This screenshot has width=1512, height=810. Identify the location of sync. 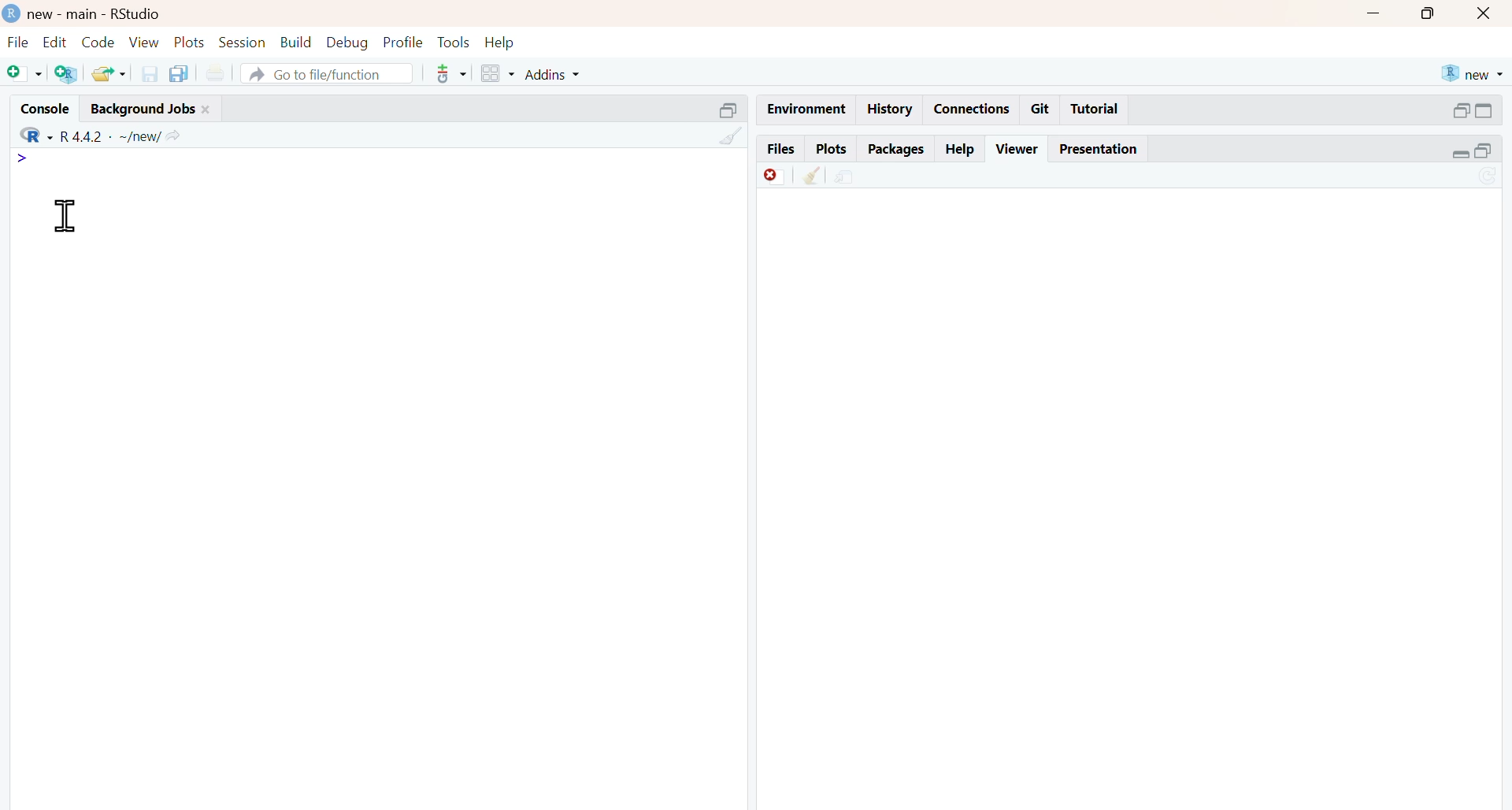
(1490, 177).